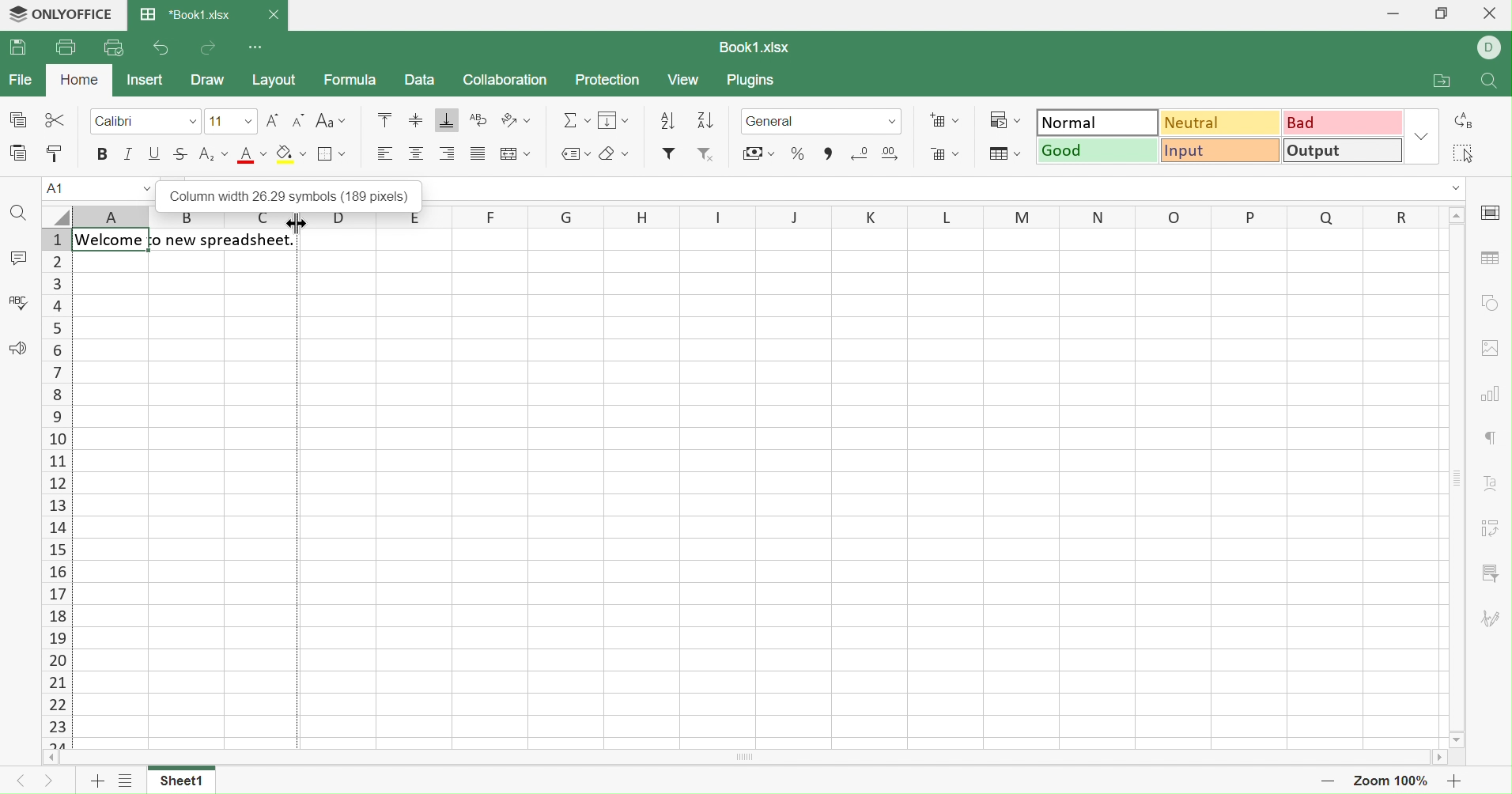 The height and width of the screenshot is (794, 1512). Describe the element at coordinates (187, 241) in the screenshot. I see `Welcome to new spreadsheet` at that location.